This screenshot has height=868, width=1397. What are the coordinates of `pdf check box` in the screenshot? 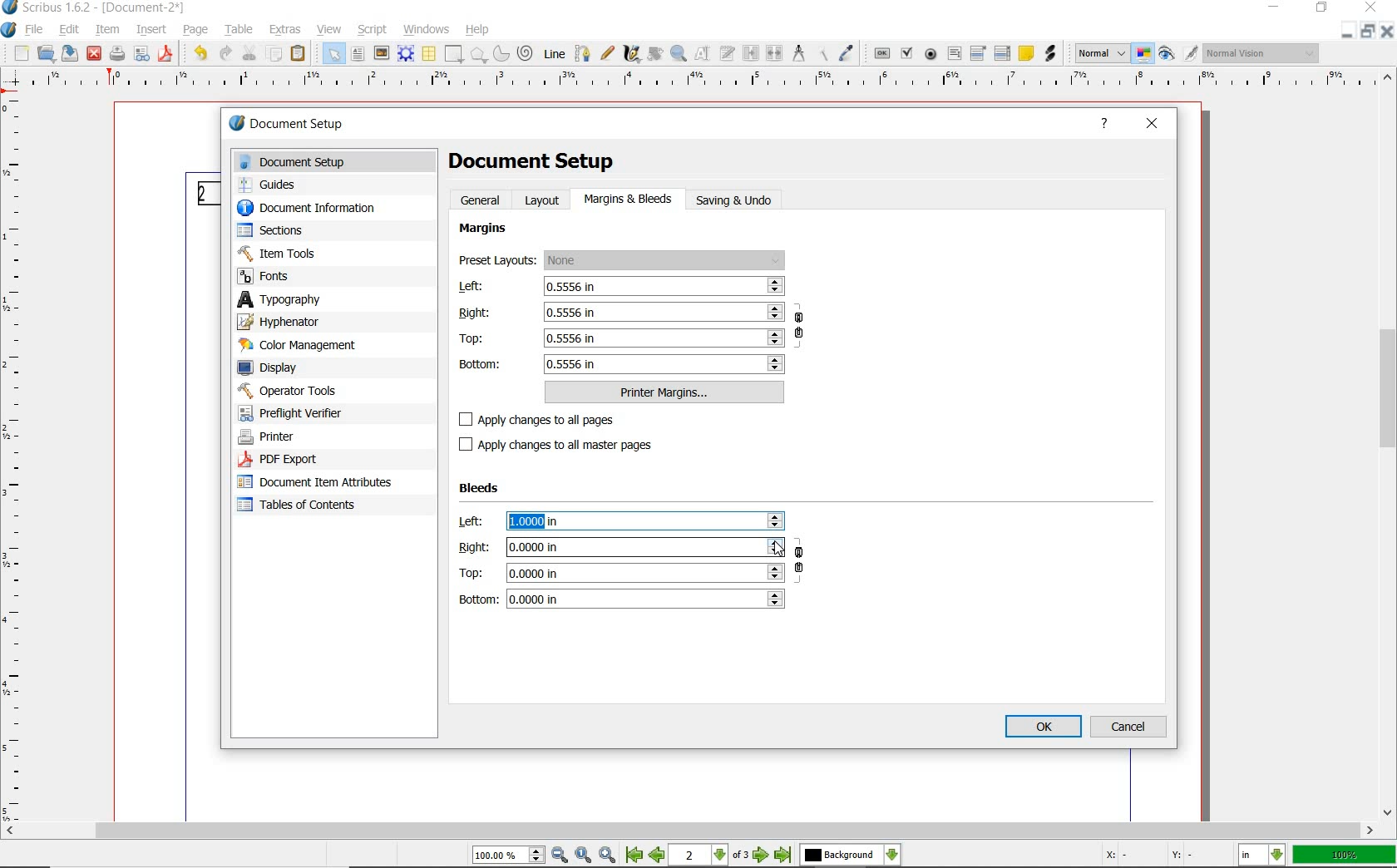 It's located at (908, 55).